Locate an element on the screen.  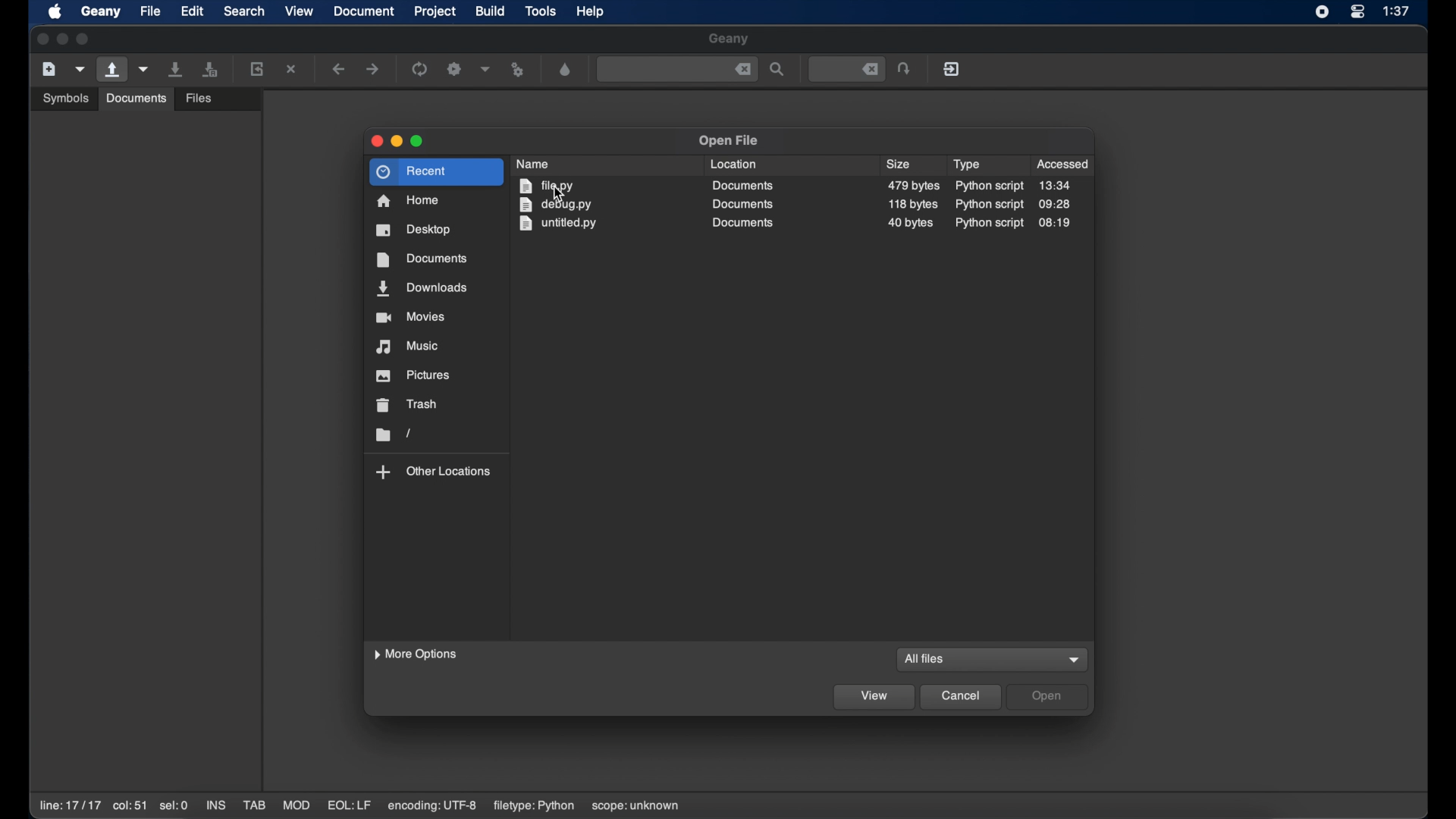
save open files is located at coordinates (212, 68).